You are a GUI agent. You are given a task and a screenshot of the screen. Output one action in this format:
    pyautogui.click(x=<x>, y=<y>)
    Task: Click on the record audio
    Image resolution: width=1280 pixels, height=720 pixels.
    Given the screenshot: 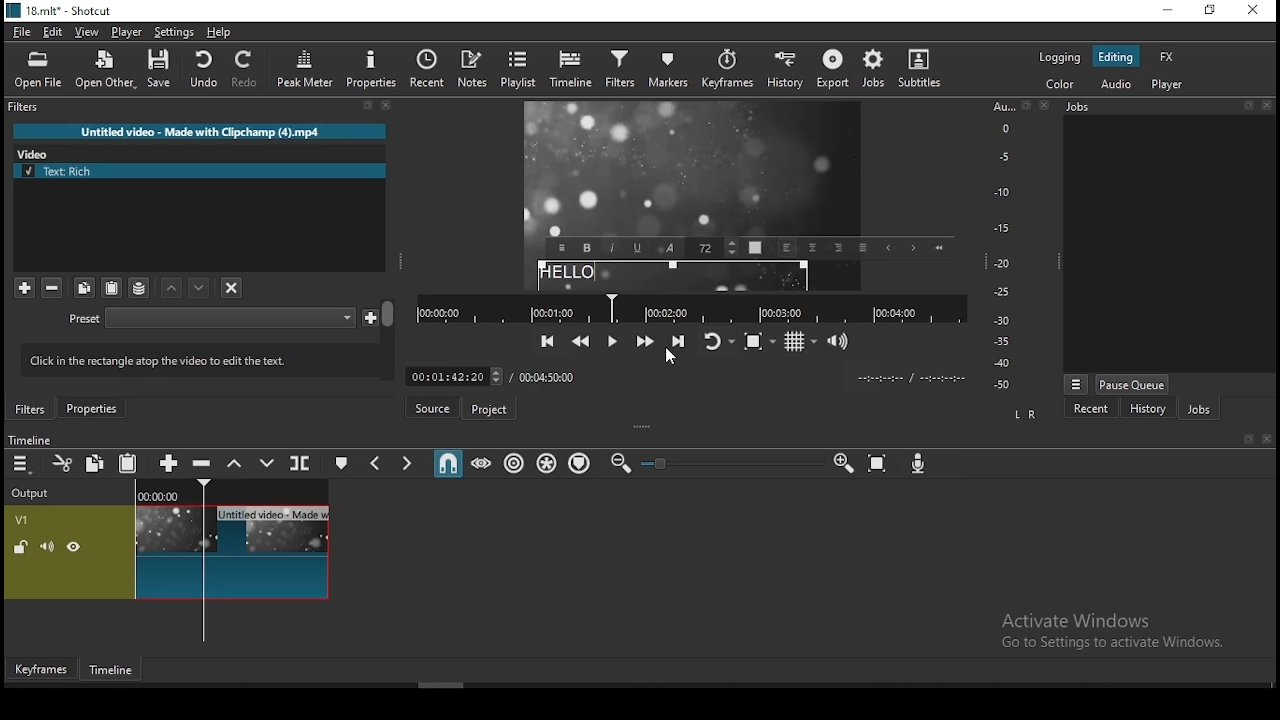 What is the action you would take?
    pyautogui.click(x=919, y=464)
    